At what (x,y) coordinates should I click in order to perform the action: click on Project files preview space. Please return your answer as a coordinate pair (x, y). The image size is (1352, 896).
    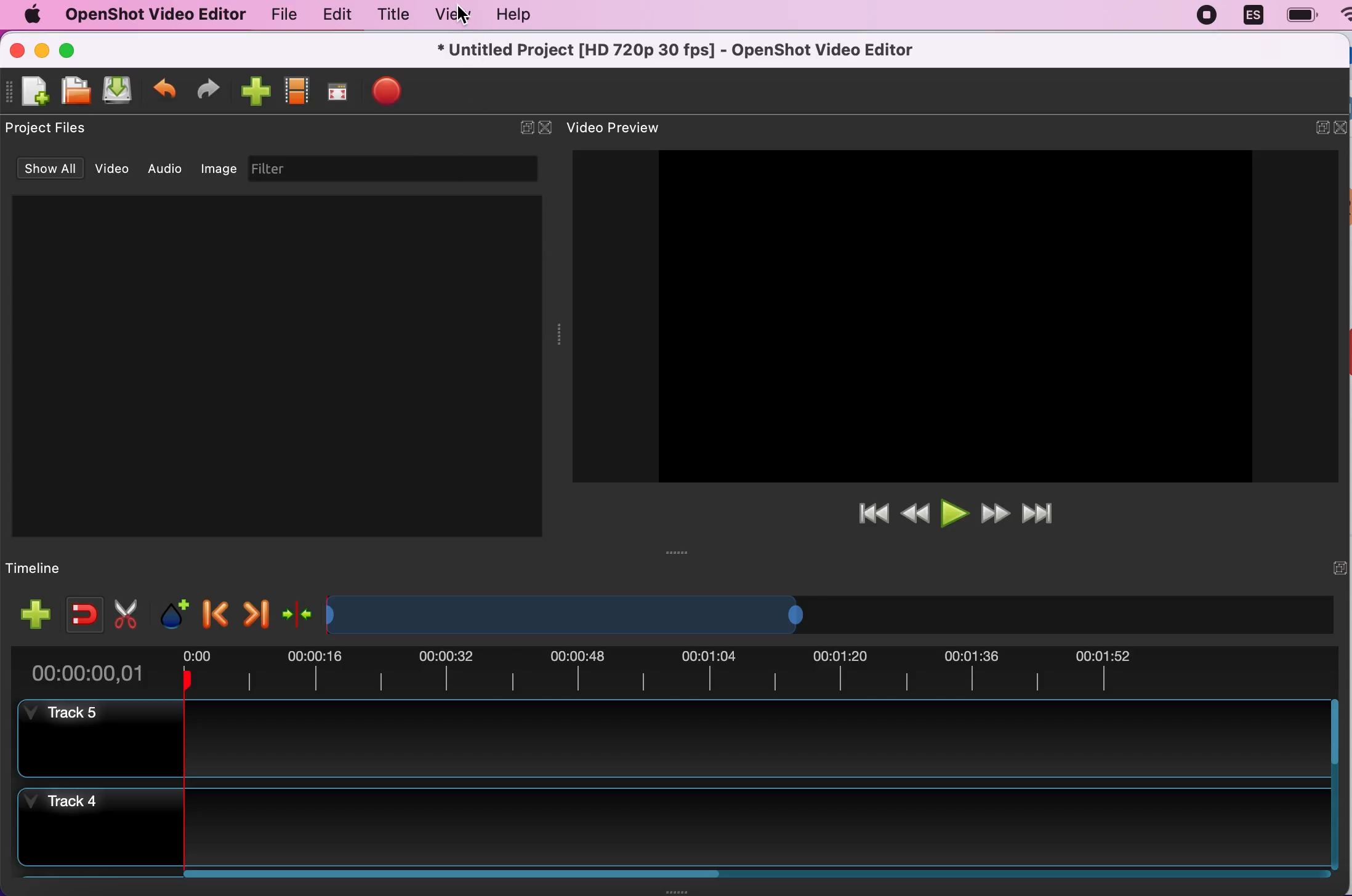
    Looking at the image, I should click on (276, 366).